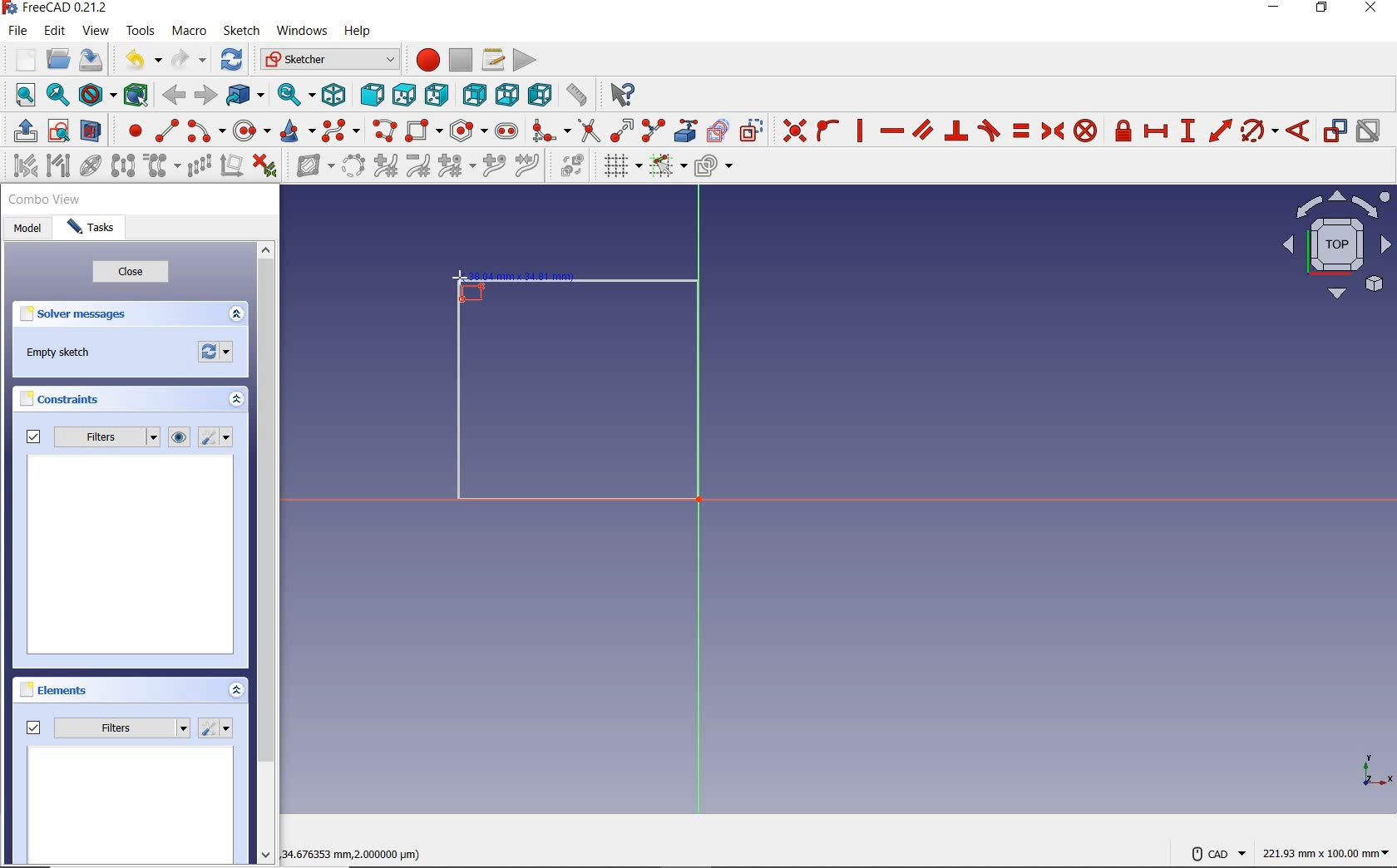  Describe the element at coordinates (189, 32) in the screenshot. I see `macro` at that location.